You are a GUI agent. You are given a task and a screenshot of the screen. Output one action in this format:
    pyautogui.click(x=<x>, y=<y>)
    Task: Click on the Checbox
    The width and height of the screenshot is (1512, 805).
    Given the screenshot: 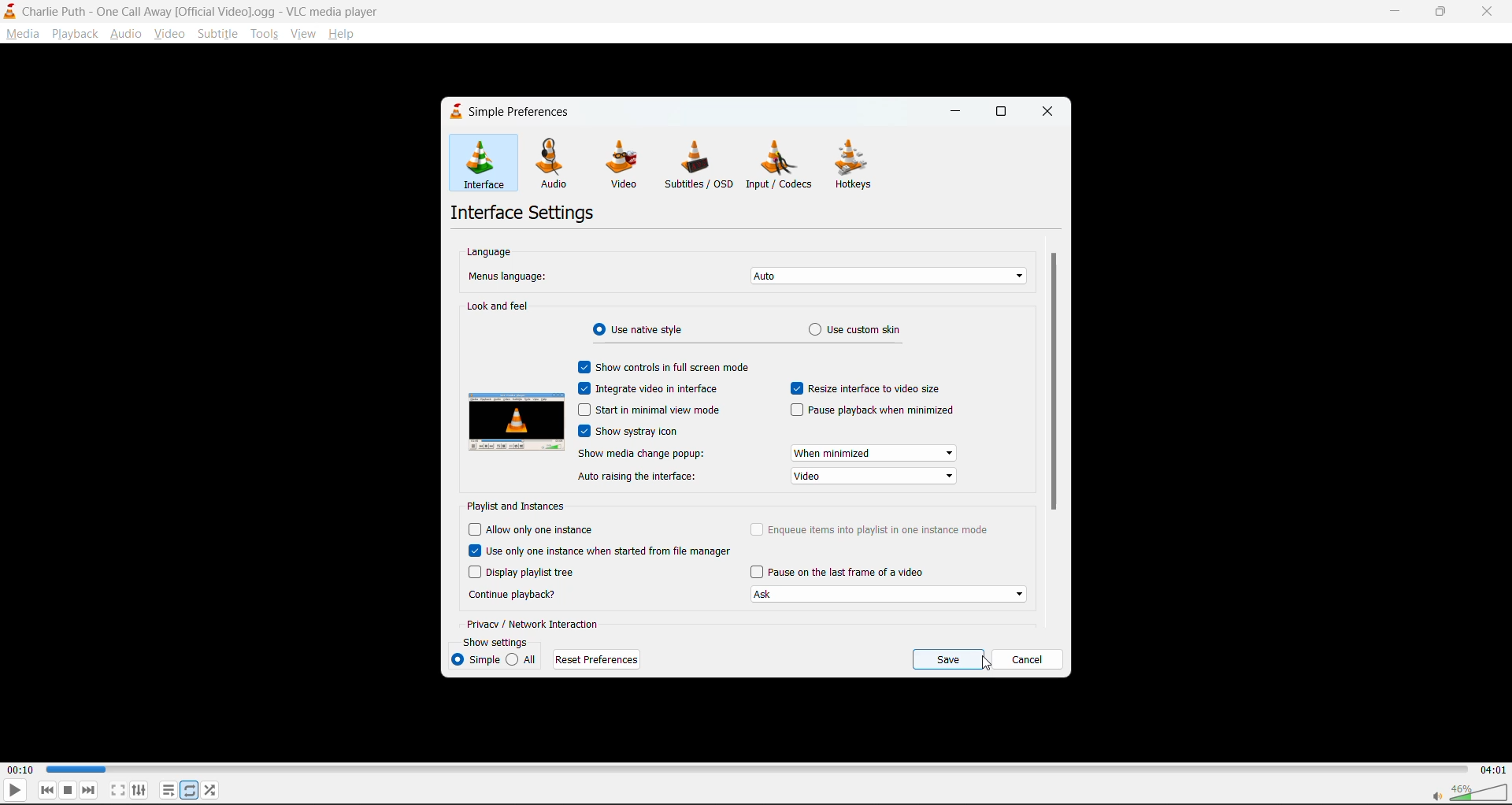 What is the action you would take?
    pyautogui.click(x=584, y=410)
    